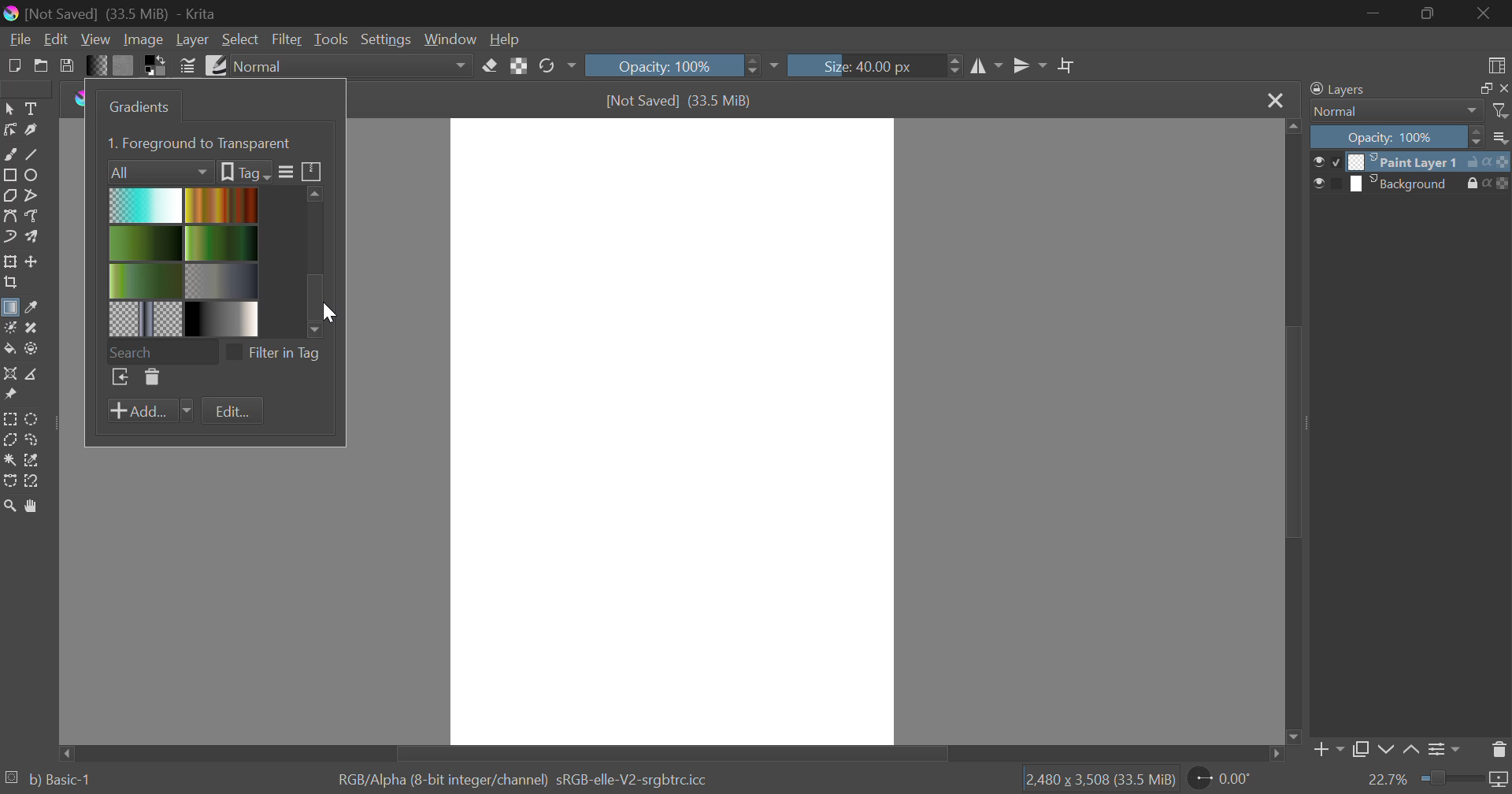  Describe the element at coordinates (96, 39) in the screenshot. I see `View` at that location.